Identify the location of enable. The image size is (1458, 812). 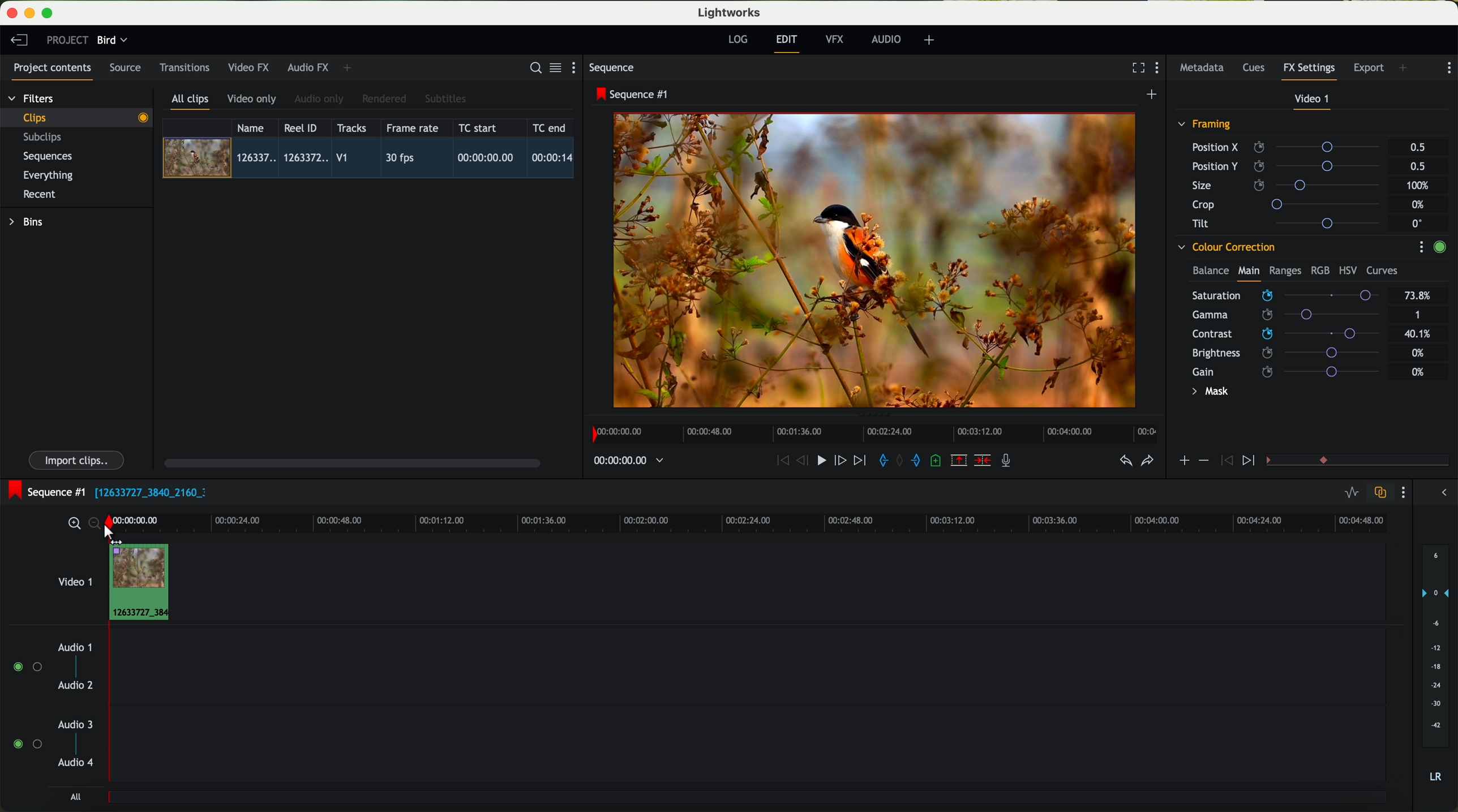
(1439, 248).